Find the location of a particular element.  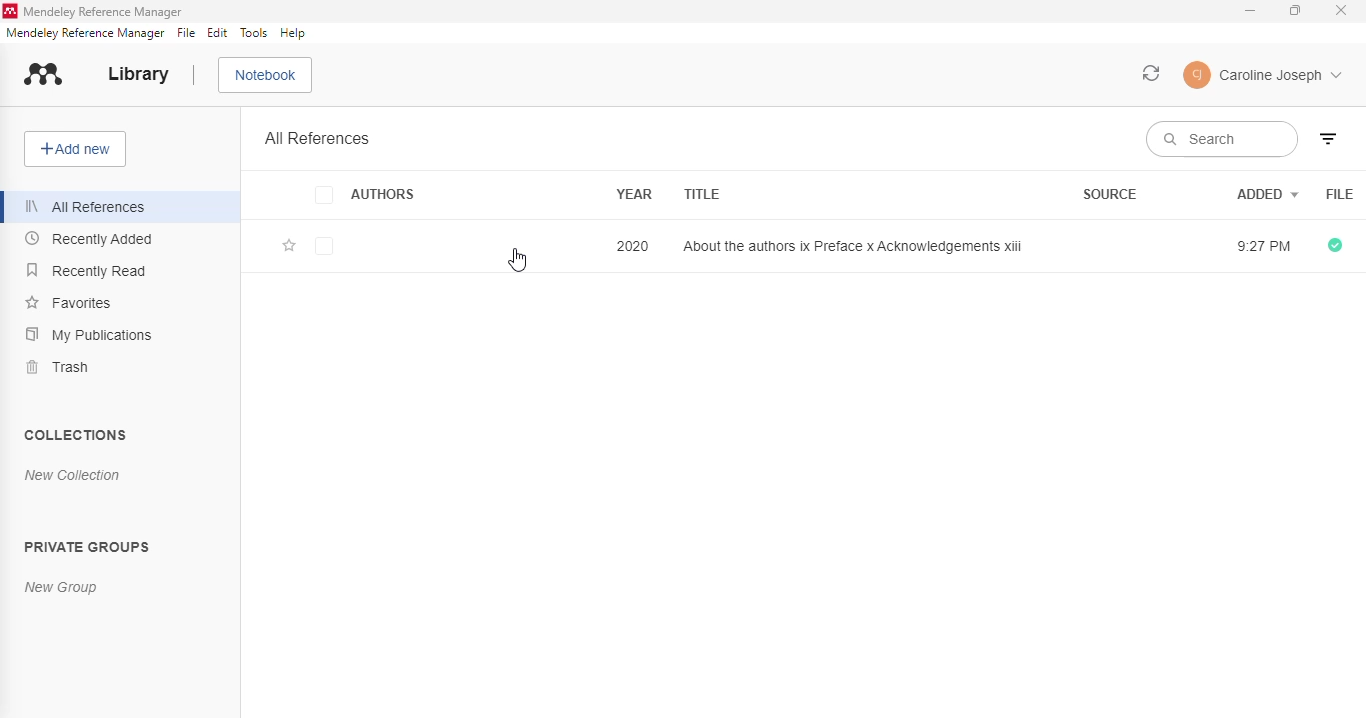

tools is located at coordinates (254, 33).